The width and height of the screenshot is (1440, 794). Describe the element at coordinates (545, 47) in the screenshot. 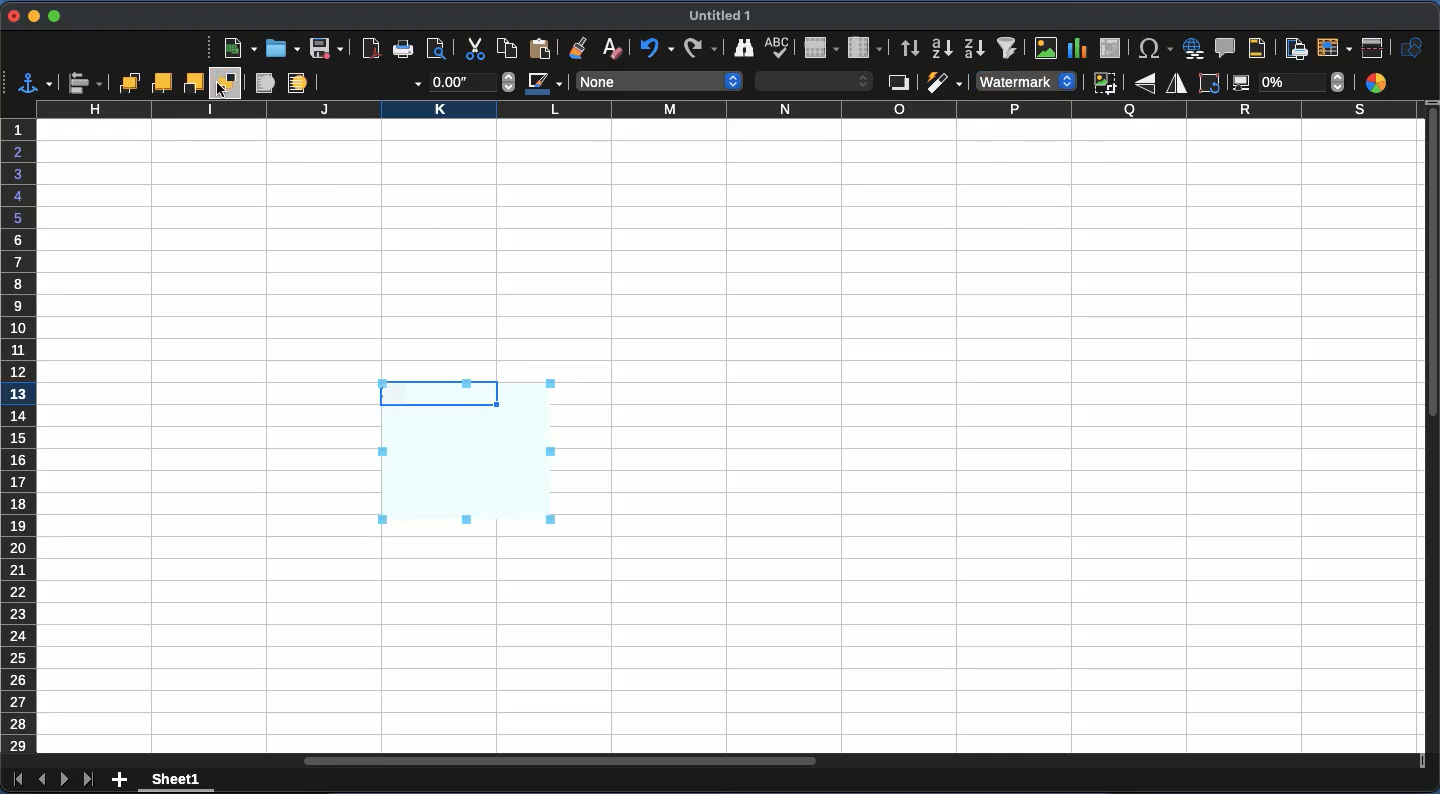

I see `paste` at that location.